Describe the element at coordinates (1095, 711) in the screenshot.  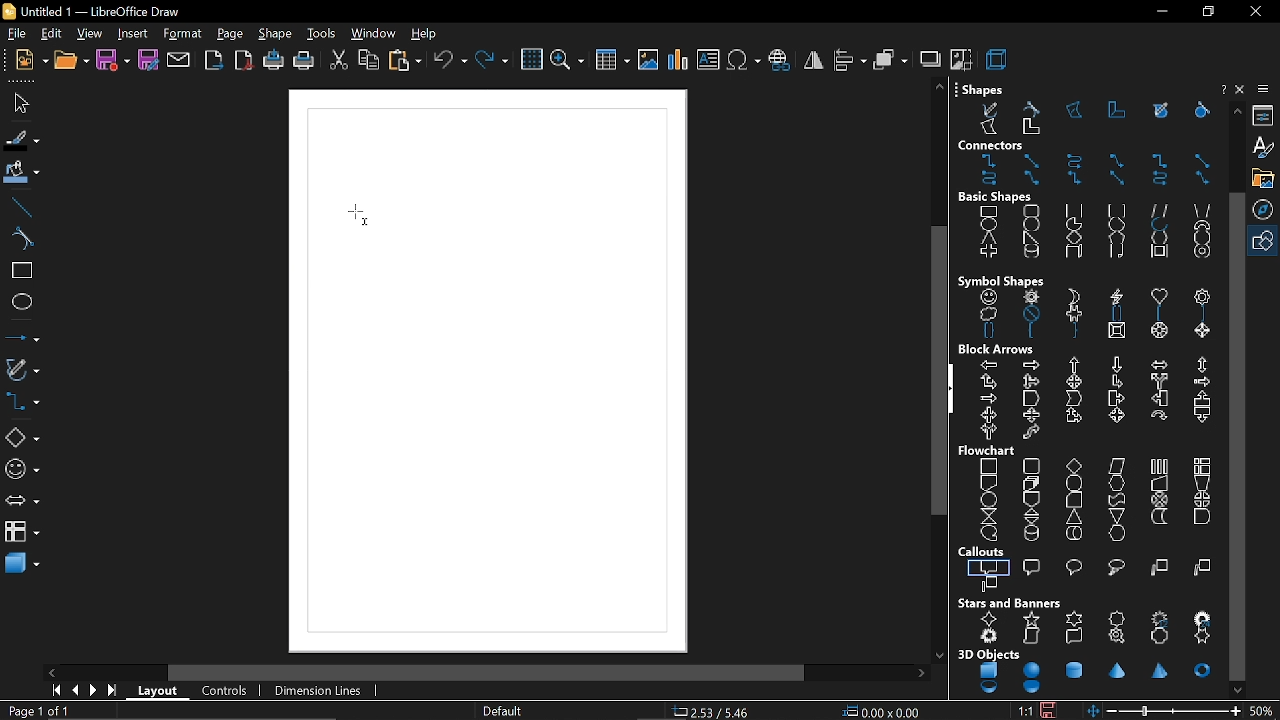
I see `fit to window` at that location.